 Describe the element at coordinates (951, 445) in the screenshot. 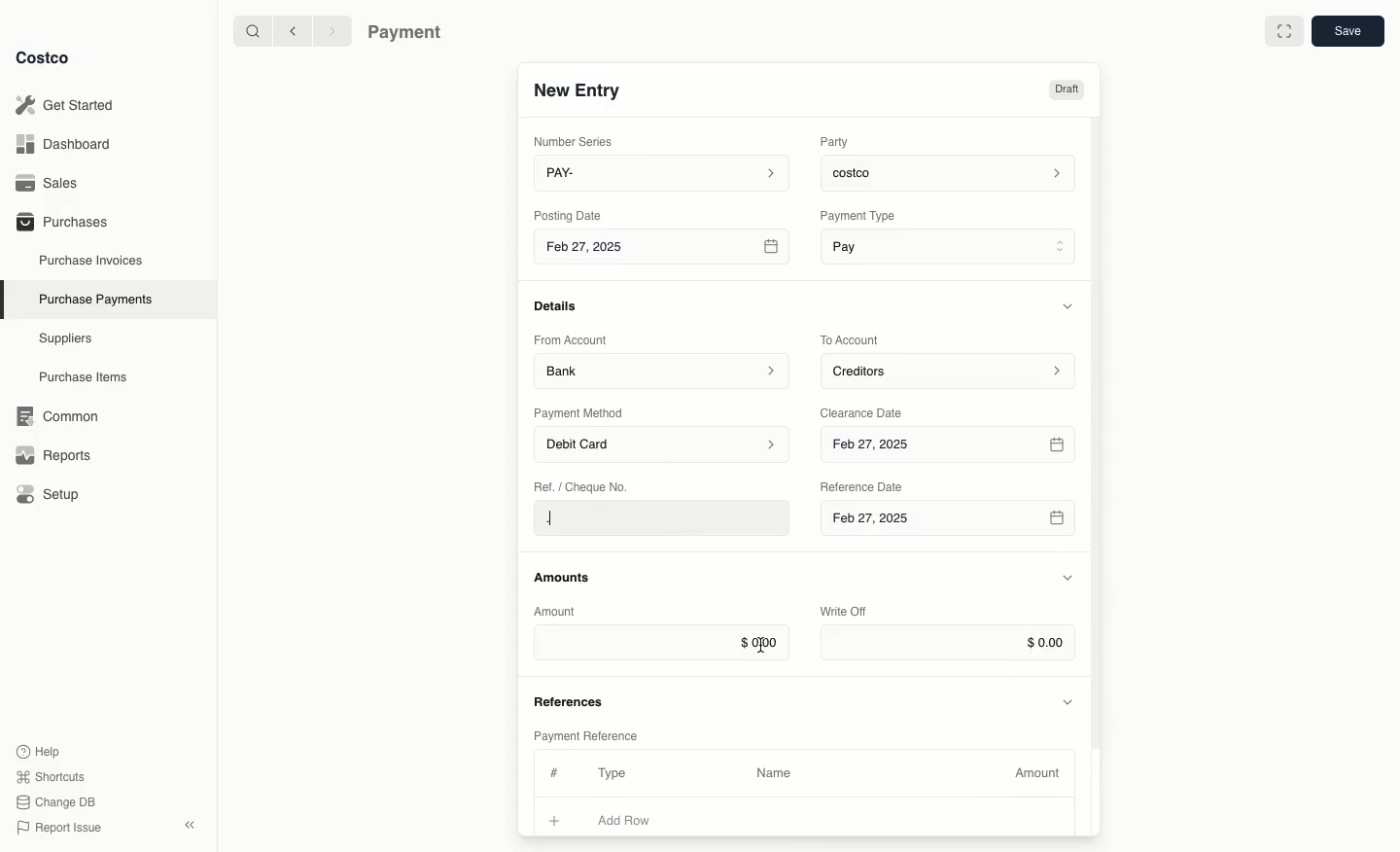

I see `Feb 27, 2025` at that location.